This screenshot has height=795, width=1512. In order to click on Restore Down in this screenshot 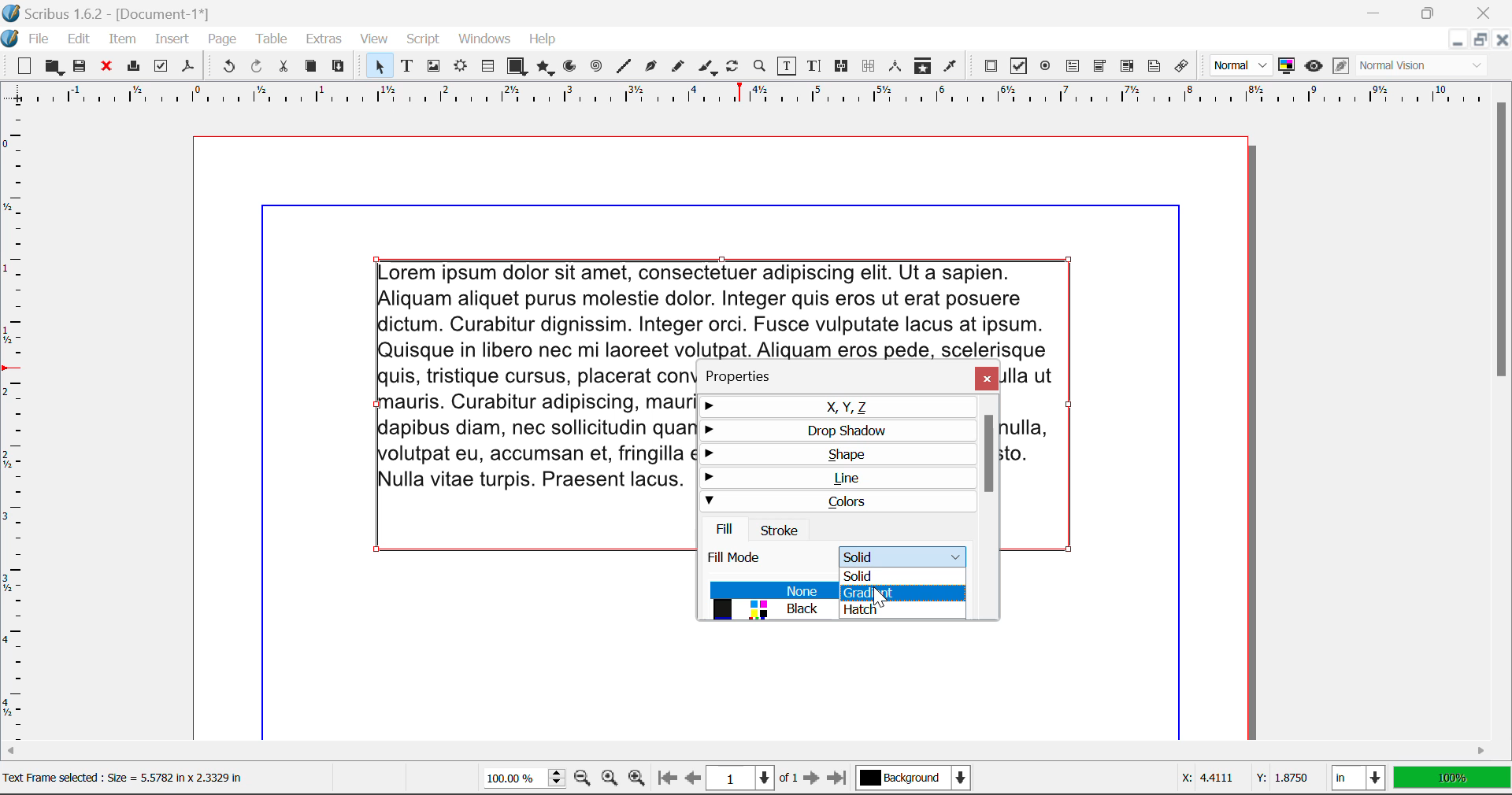, I will do `click(1456, 40)`.